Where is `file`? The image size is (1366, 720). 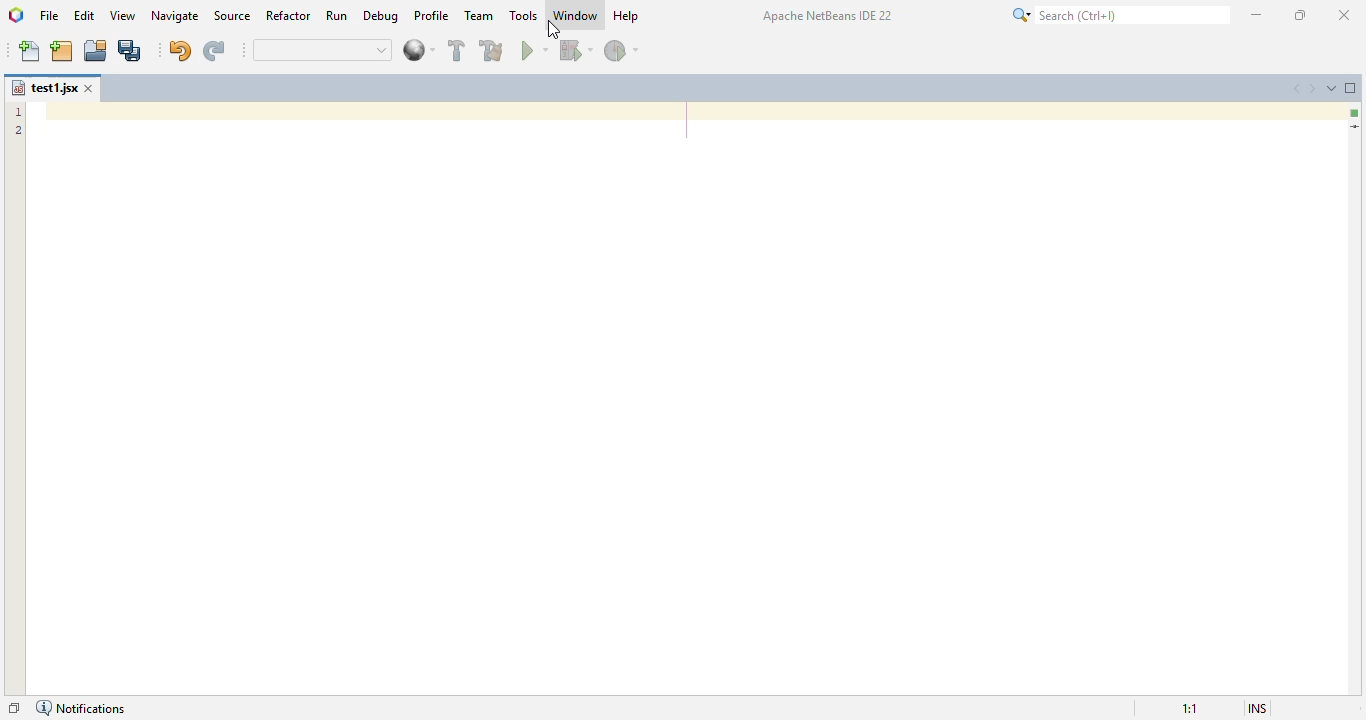 file is located at coordinates (50, 15).